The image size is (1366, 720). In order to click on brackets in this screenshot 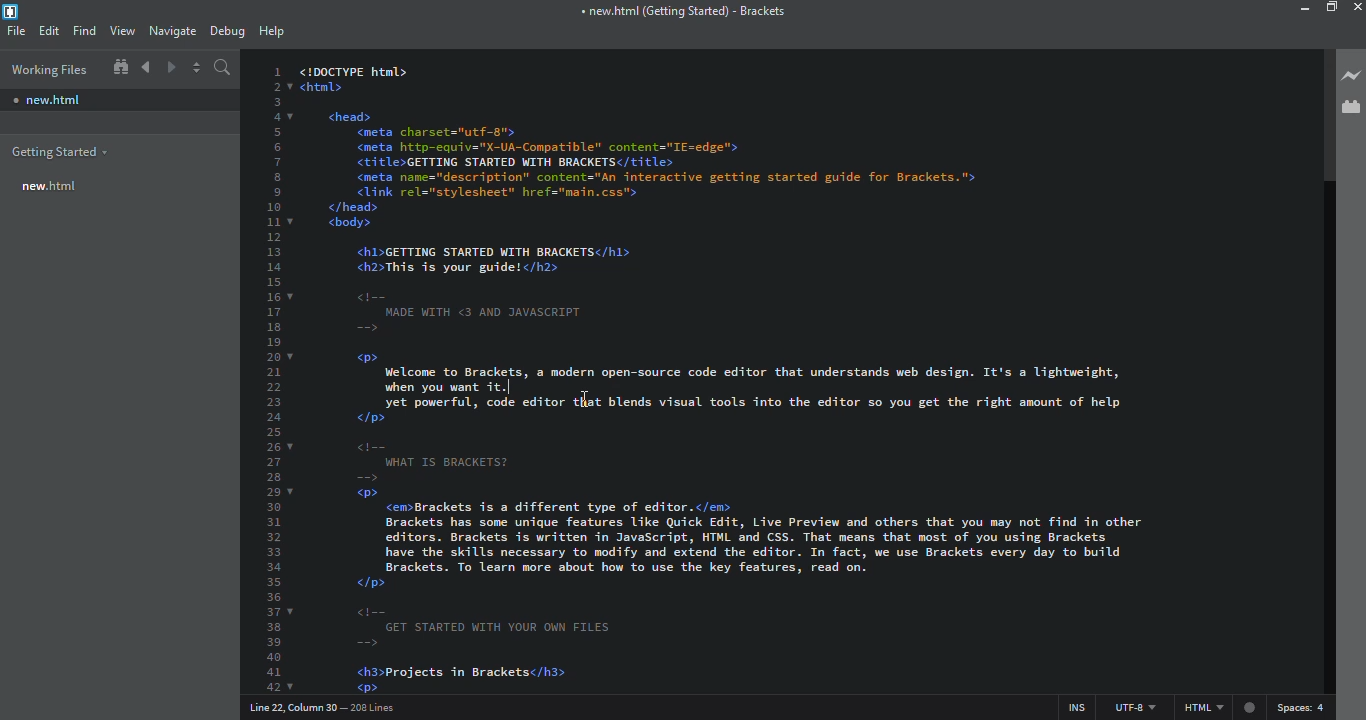, I will do `click(680, 10)`.